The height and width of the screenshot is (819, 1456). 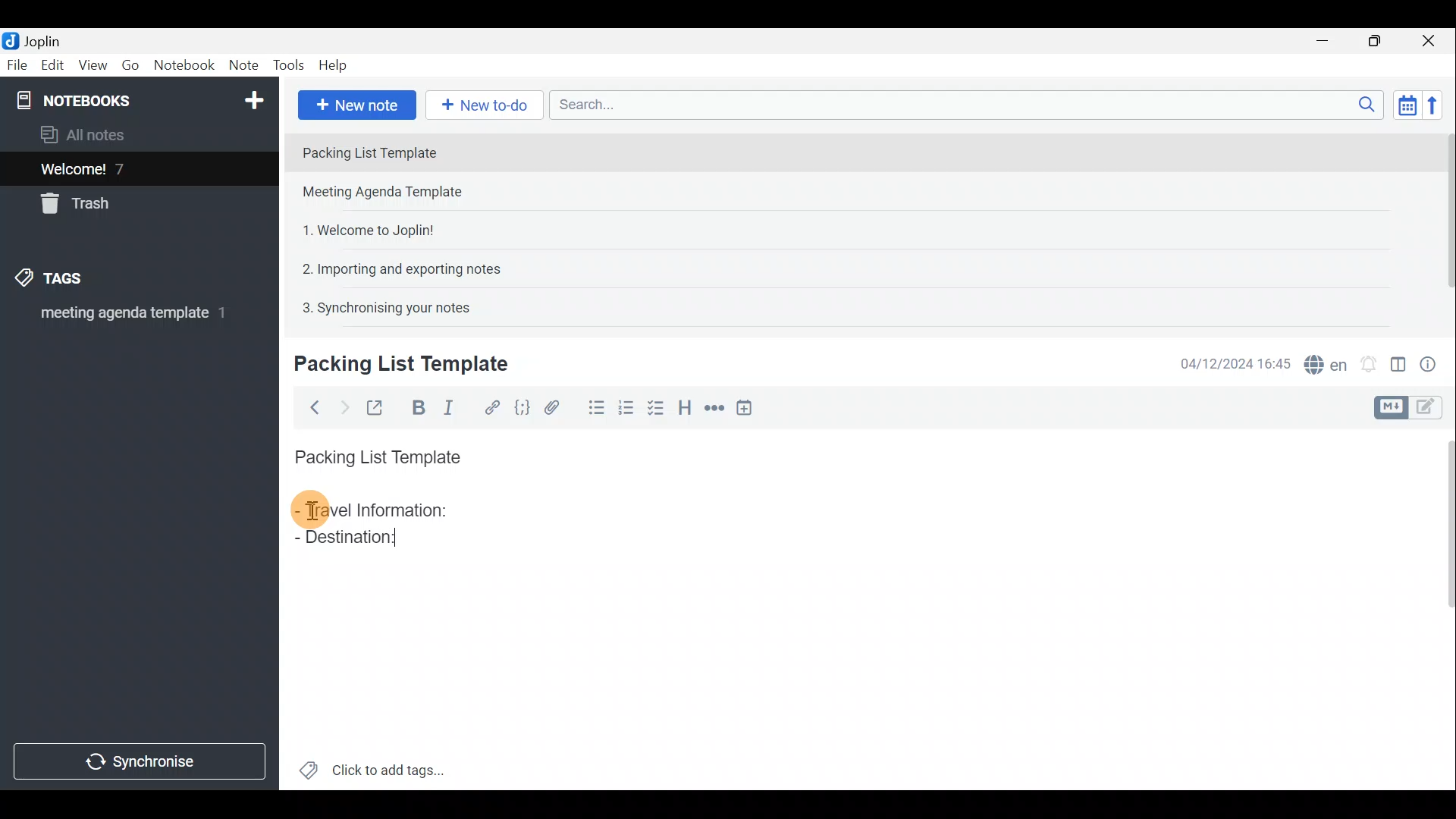 What do you see at coordinates (661, 412) in the screenshot?
I see `Checkbox` at bounding box center [661, 412].